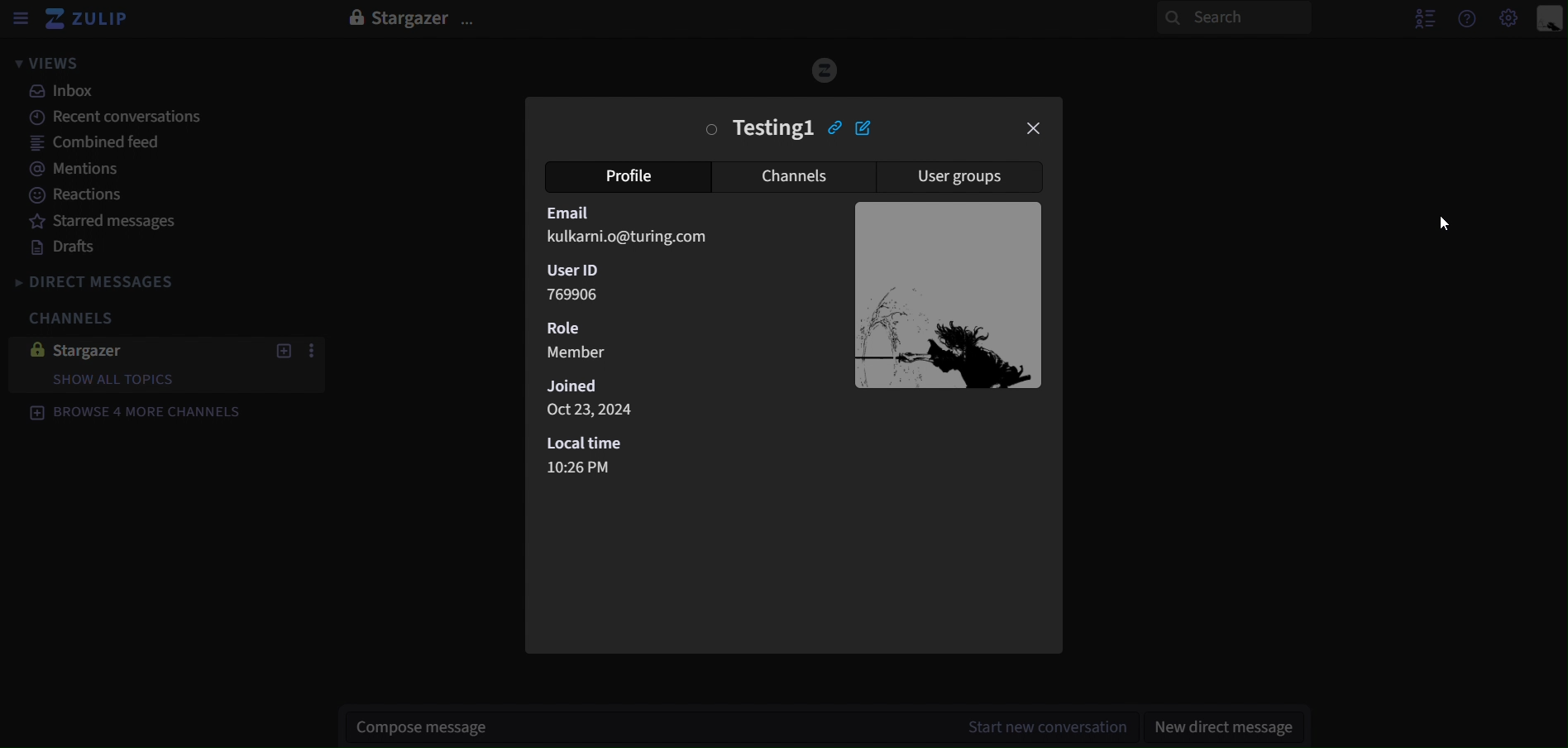 This screenshot has height=748, width=1568. What do you see at coordinates (1469, 21) in the screenshot?
I see `help` at bounding box center [1469, 21].